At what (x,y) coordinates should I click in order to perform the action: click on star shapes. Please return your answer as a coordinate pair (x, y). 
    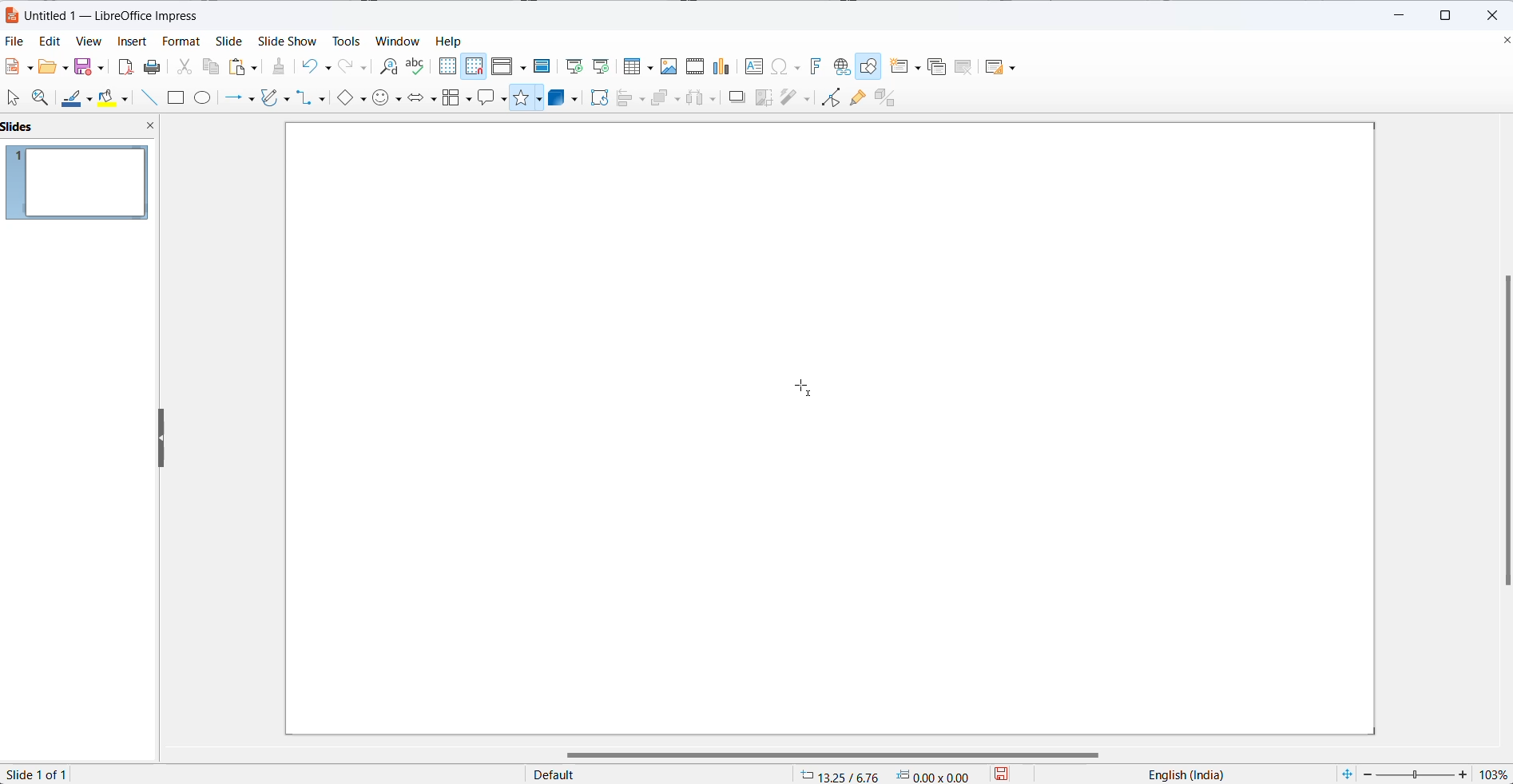
    Looking at the image, I should click on (527, 101).